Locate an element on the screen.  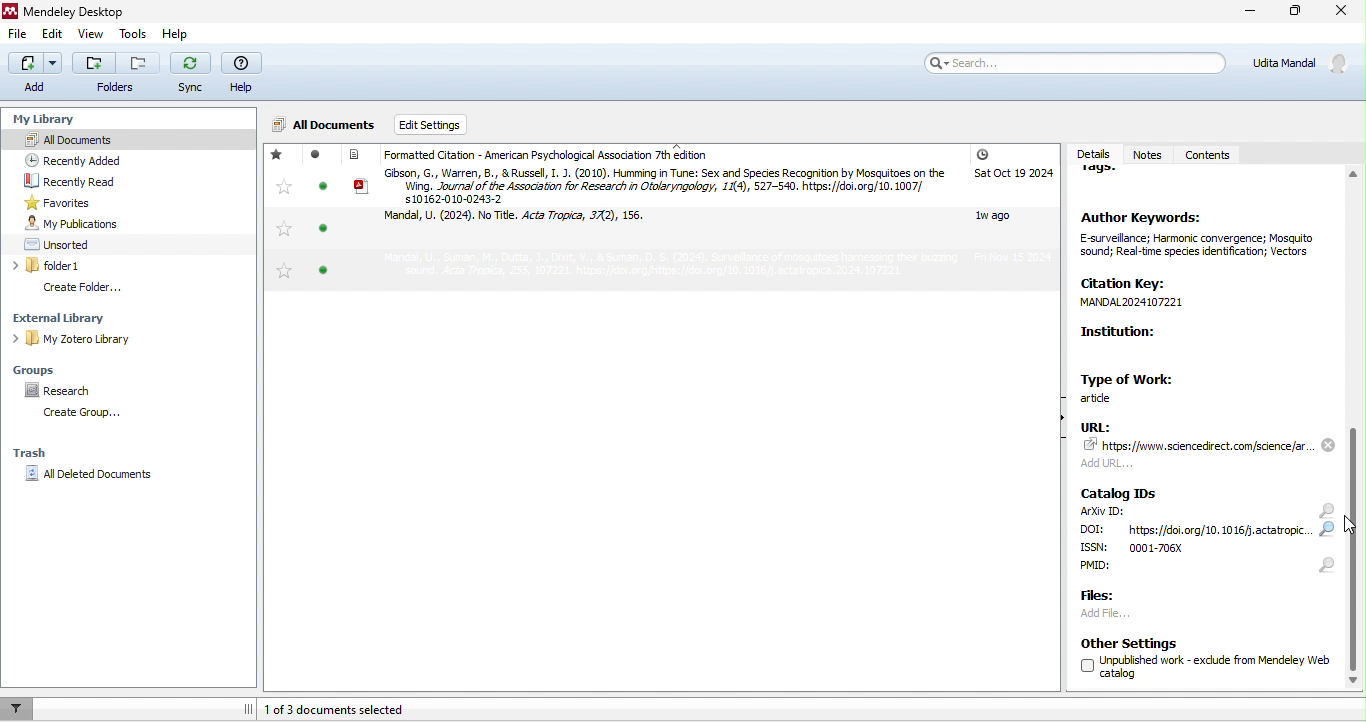
edit is located at coordinates (53, 35).